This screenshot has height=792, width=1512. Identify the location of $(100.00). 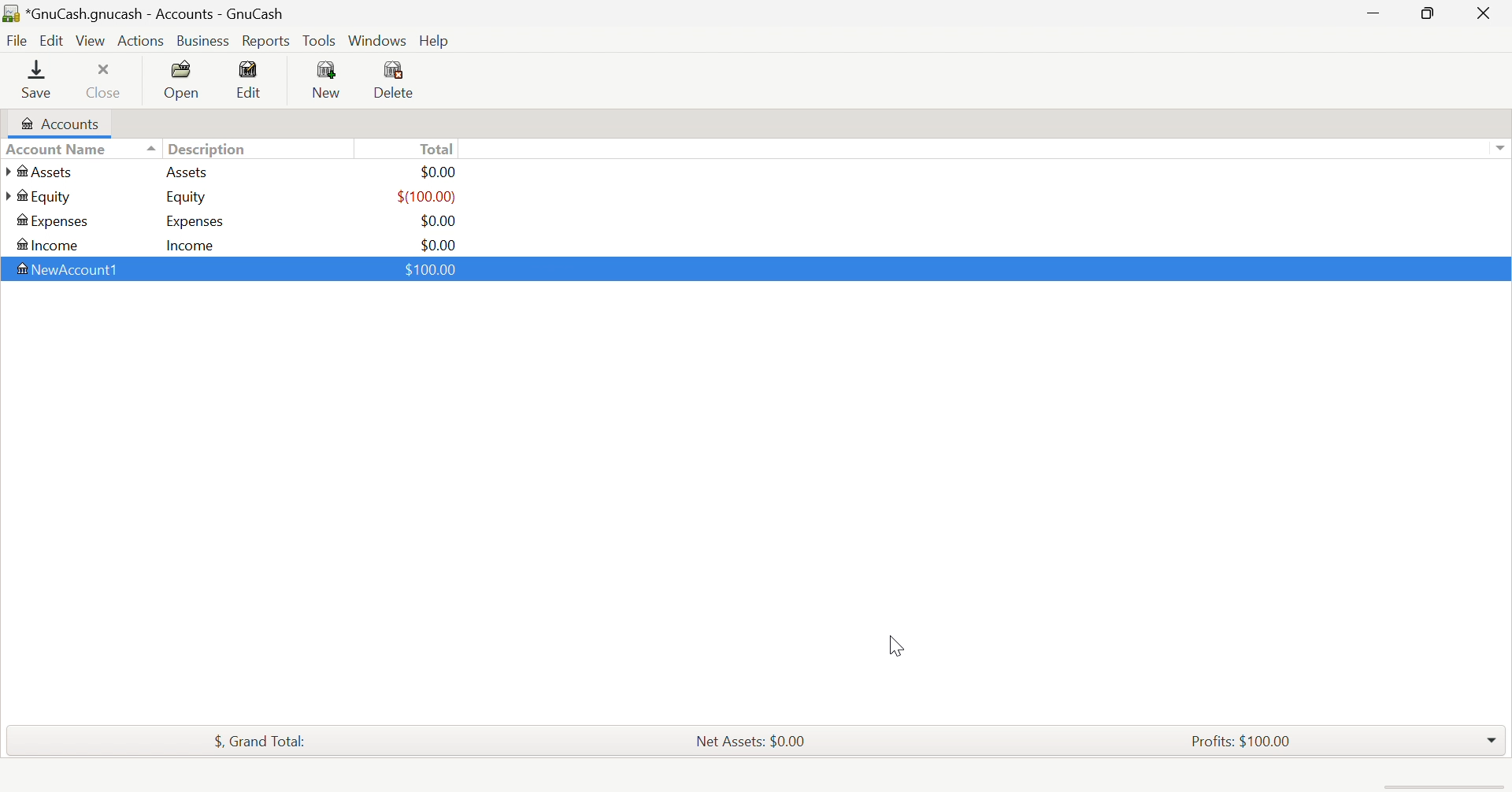
(428, 196).